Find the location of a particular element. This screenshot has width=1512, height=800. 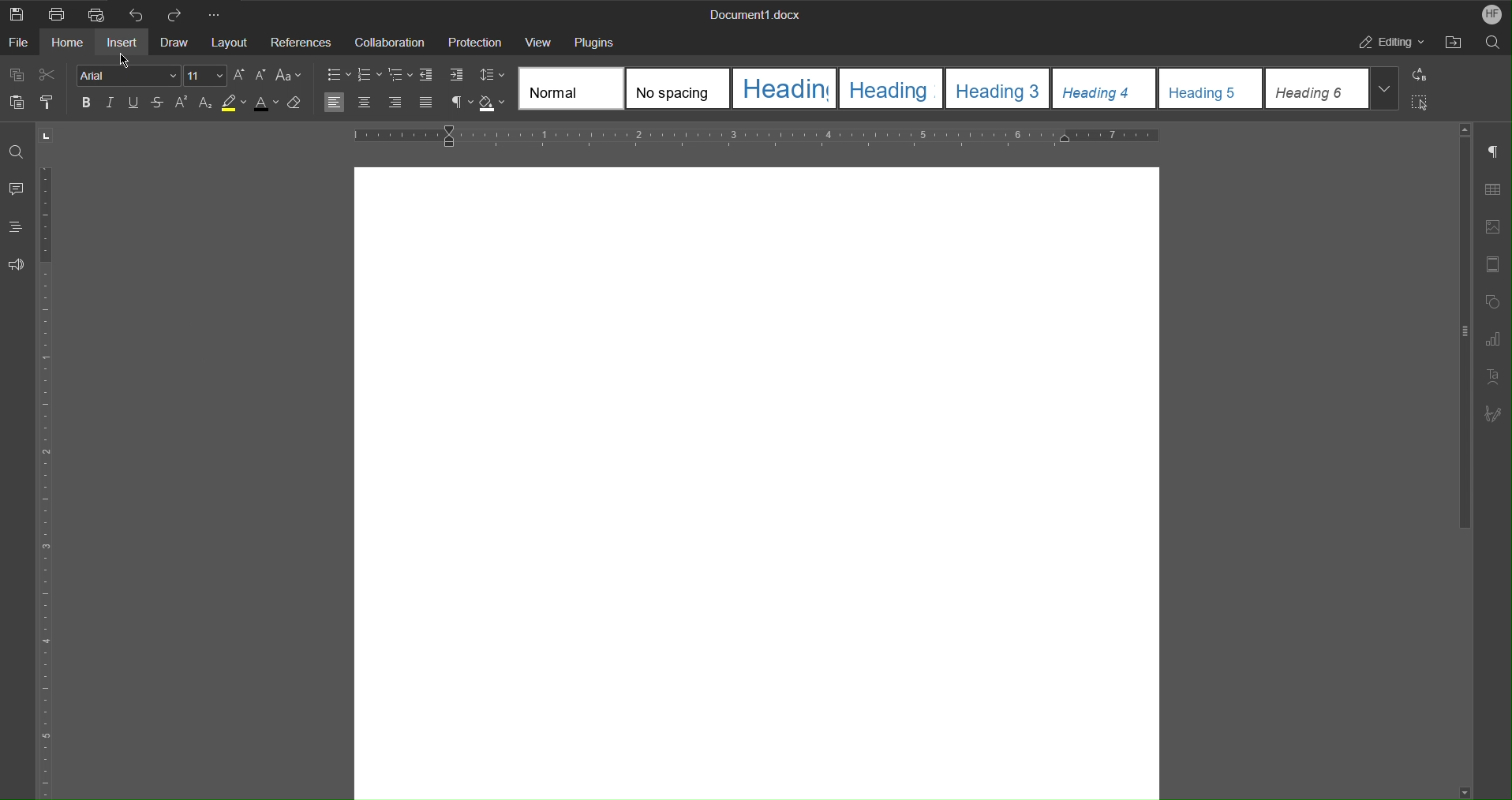

Erase Style is located at coordinates (295, 103).